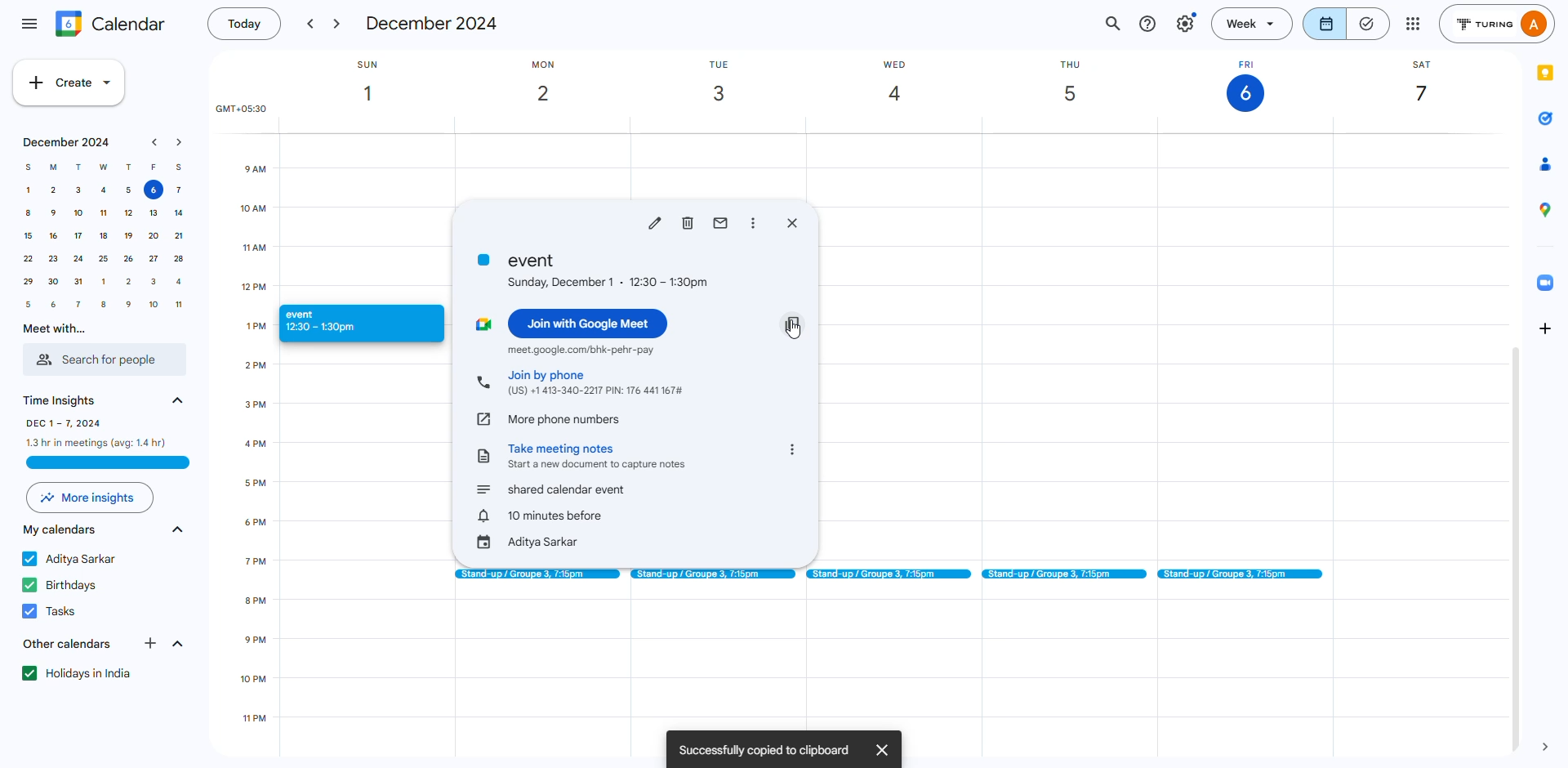  What do you see at coordinates (125, 213) in the screenshot?
I see `12` at bounding box center [125, 213].